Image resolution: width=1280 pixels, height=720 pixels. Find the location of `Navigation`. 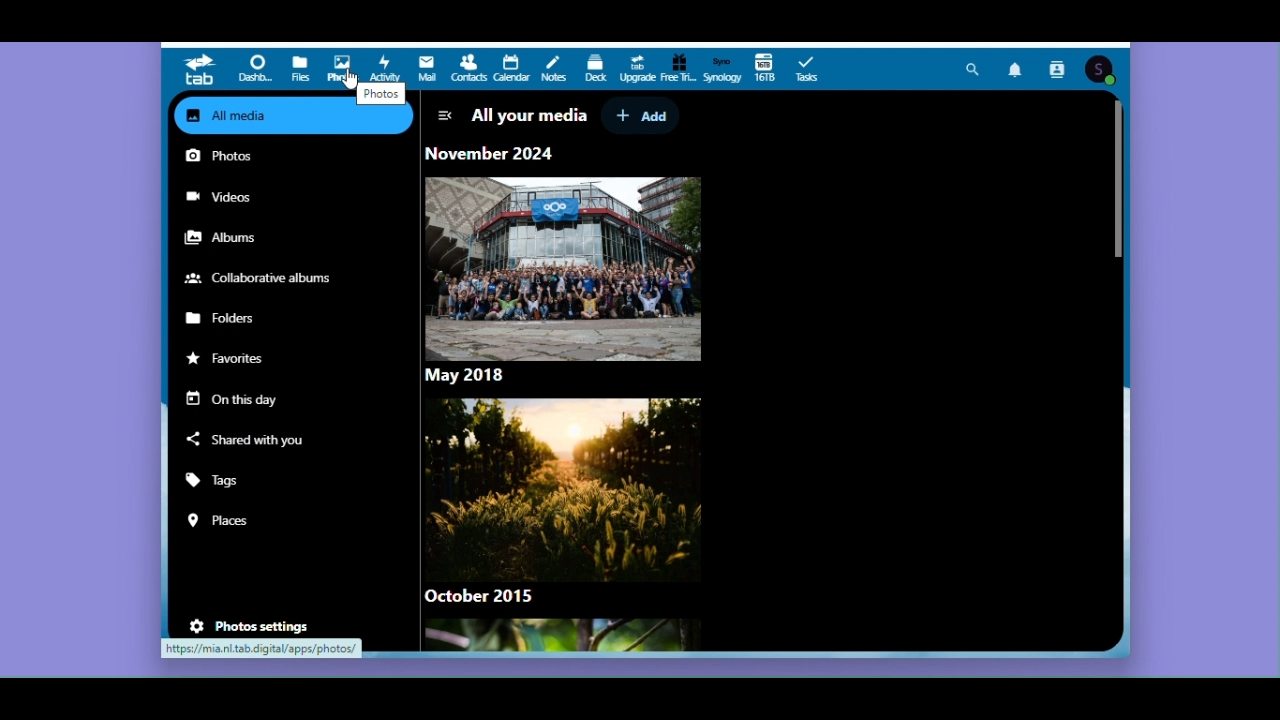

Navigation is located at coordinates (444, 113).